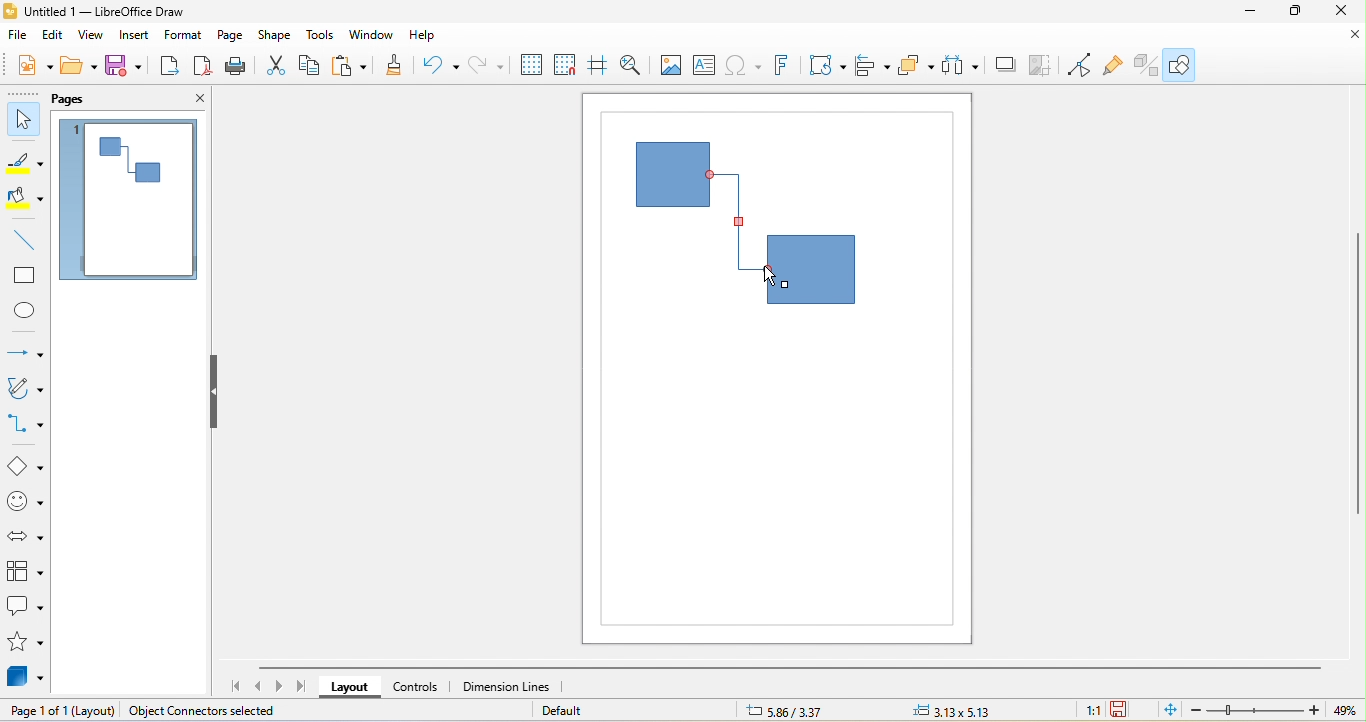 This screenshot has height=722, width=1366. Describe the element at coordinates (1278, 709) in the screenshot. I see `zoom` at that location.